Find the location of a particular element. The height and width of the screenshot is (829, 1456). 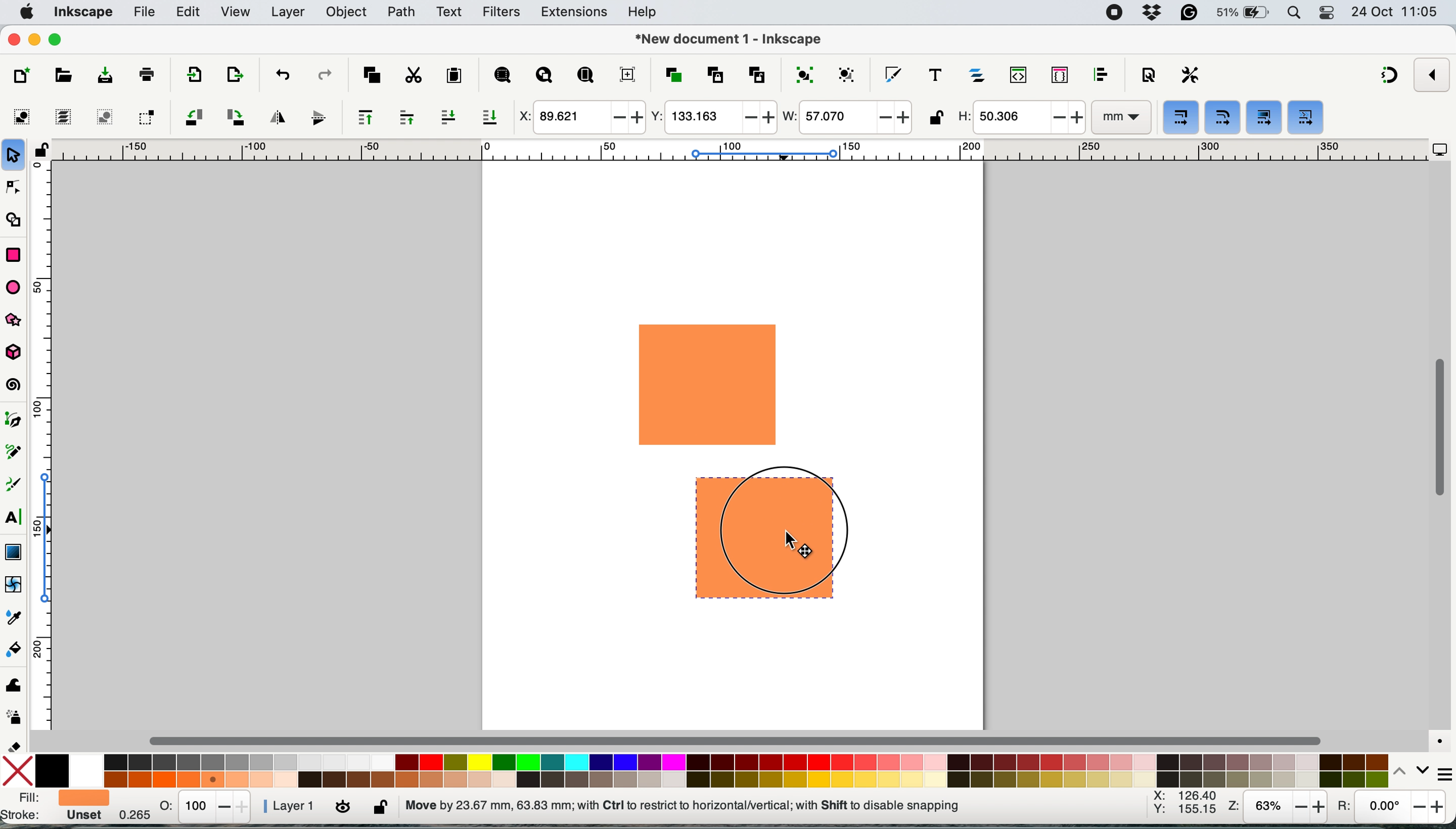

spotlight search is located at coordinates (1295, 14).